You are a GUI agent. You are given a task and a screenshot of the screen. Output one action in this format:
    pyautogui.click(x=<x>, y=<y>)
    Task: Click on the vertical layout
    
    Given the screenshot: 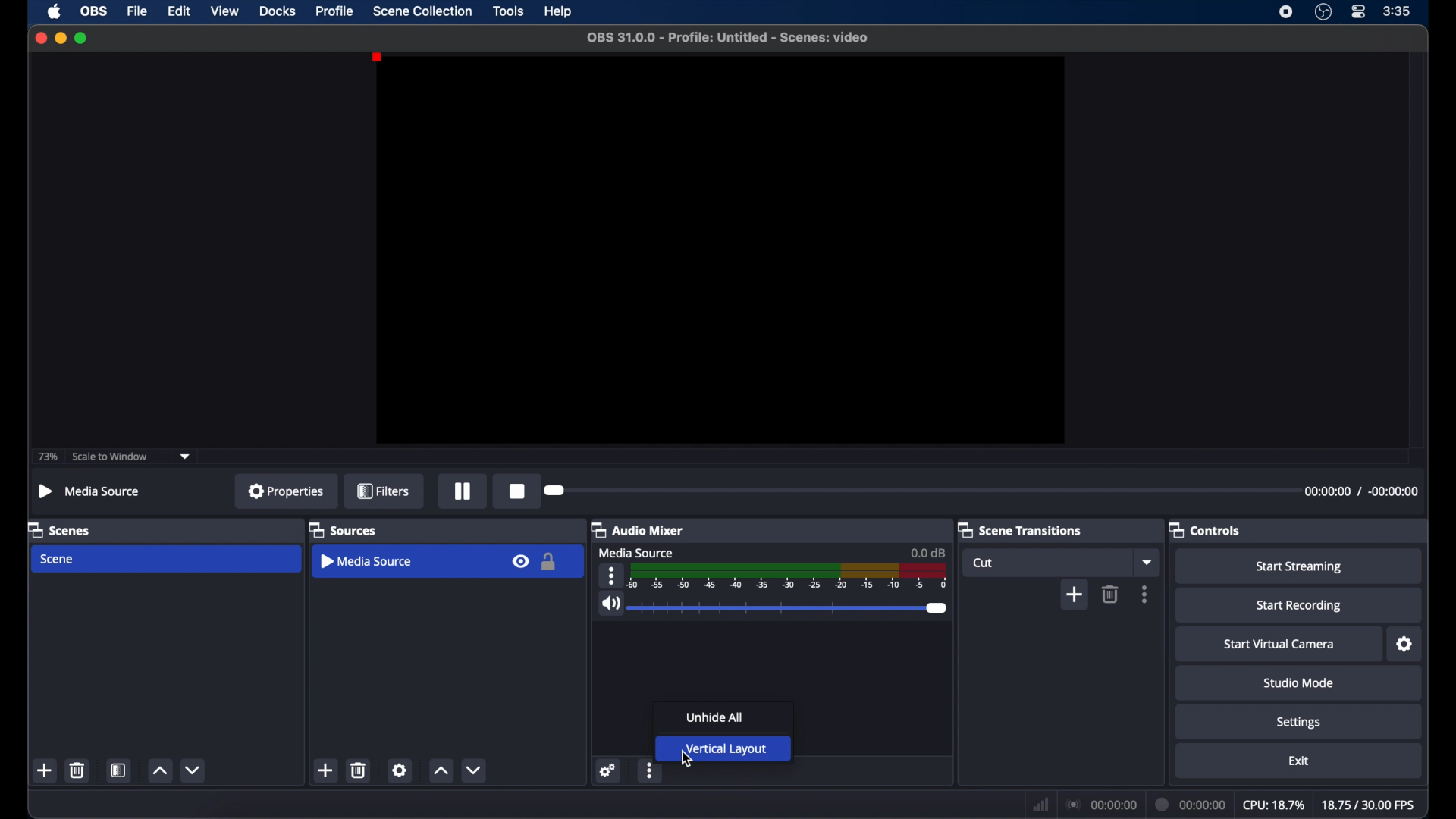 What is the action you would take?
    pyautogui.click(x=726, y=749)
    